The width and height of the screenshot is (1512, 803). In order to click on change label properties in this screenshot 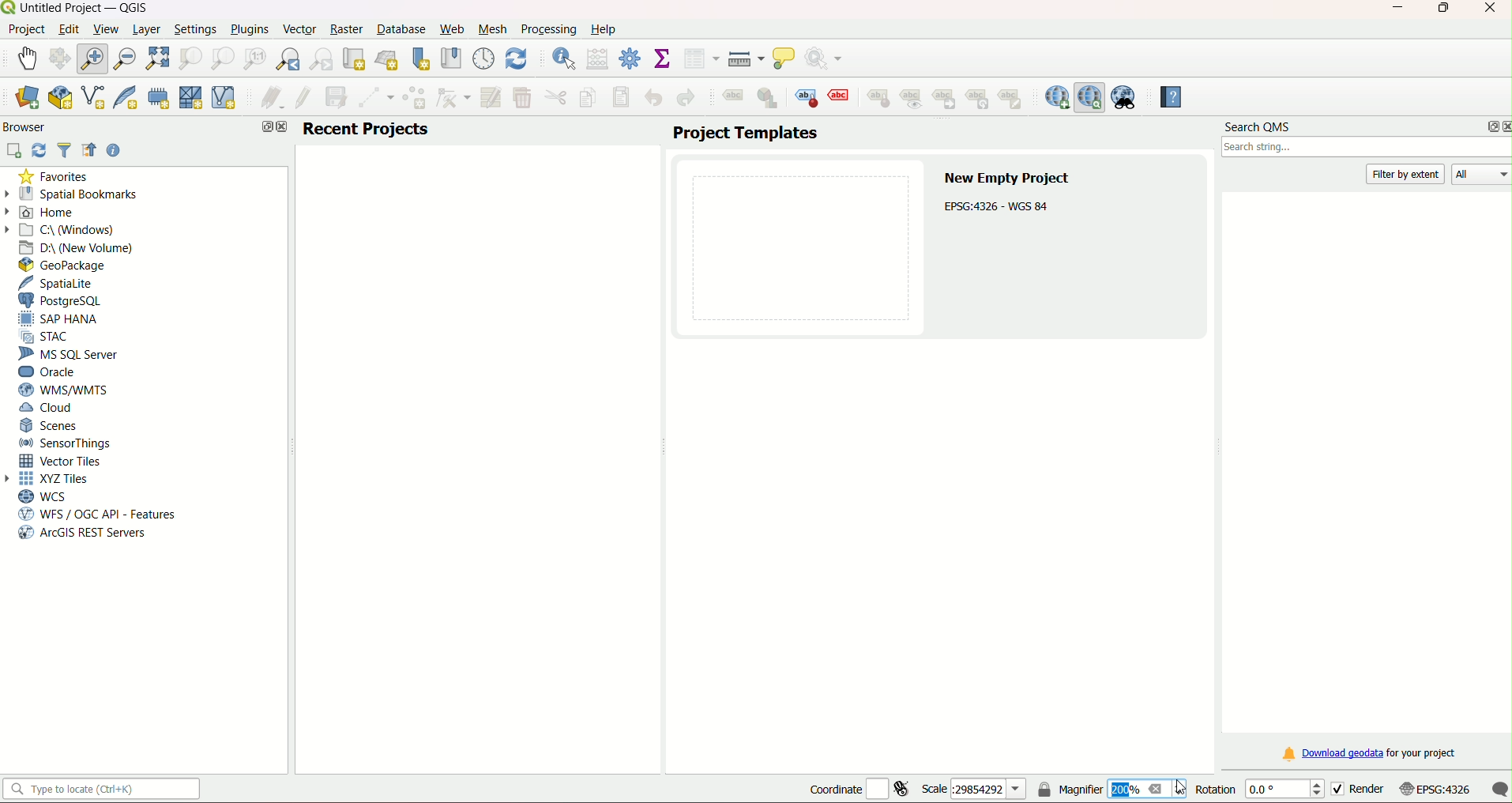, I will do `click(1014, 102)`.